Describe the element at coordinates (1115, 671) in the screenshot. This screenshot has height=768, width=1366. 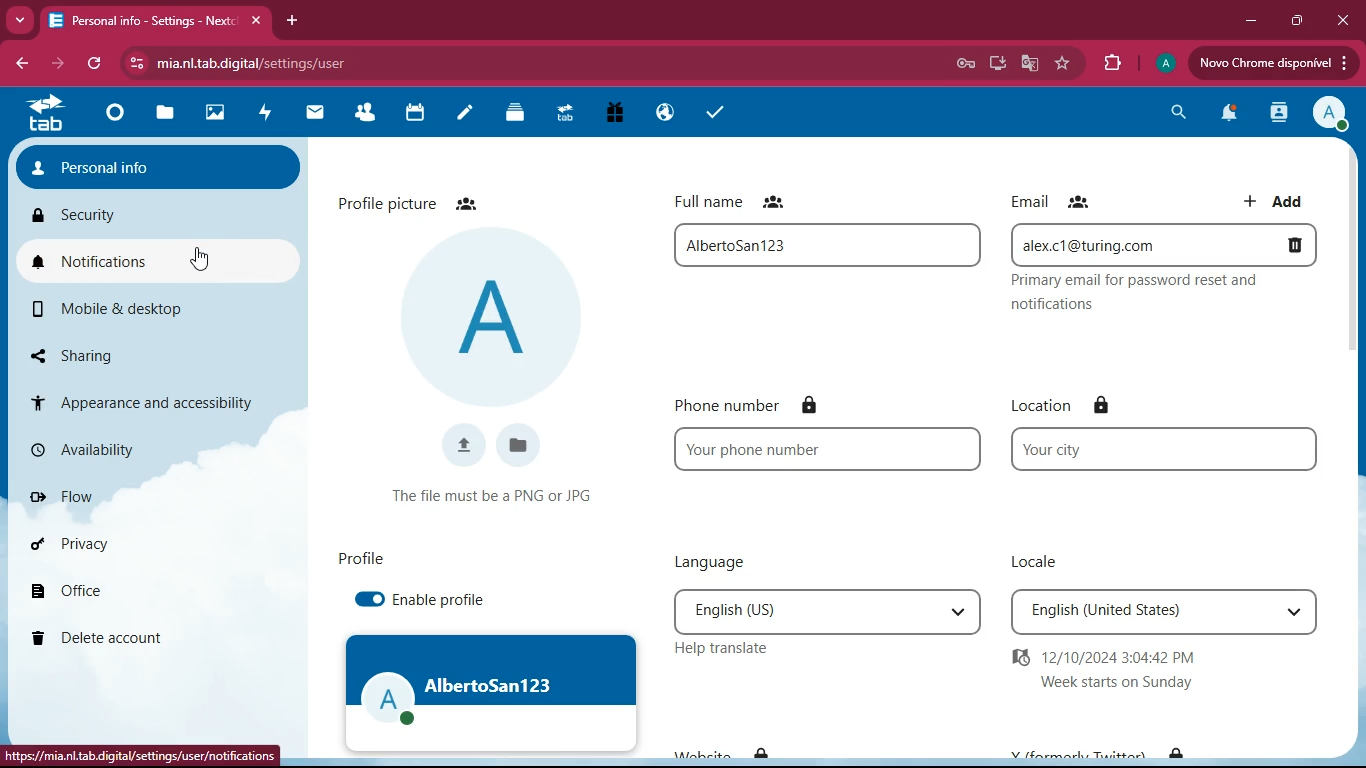
I see `time` at that location.